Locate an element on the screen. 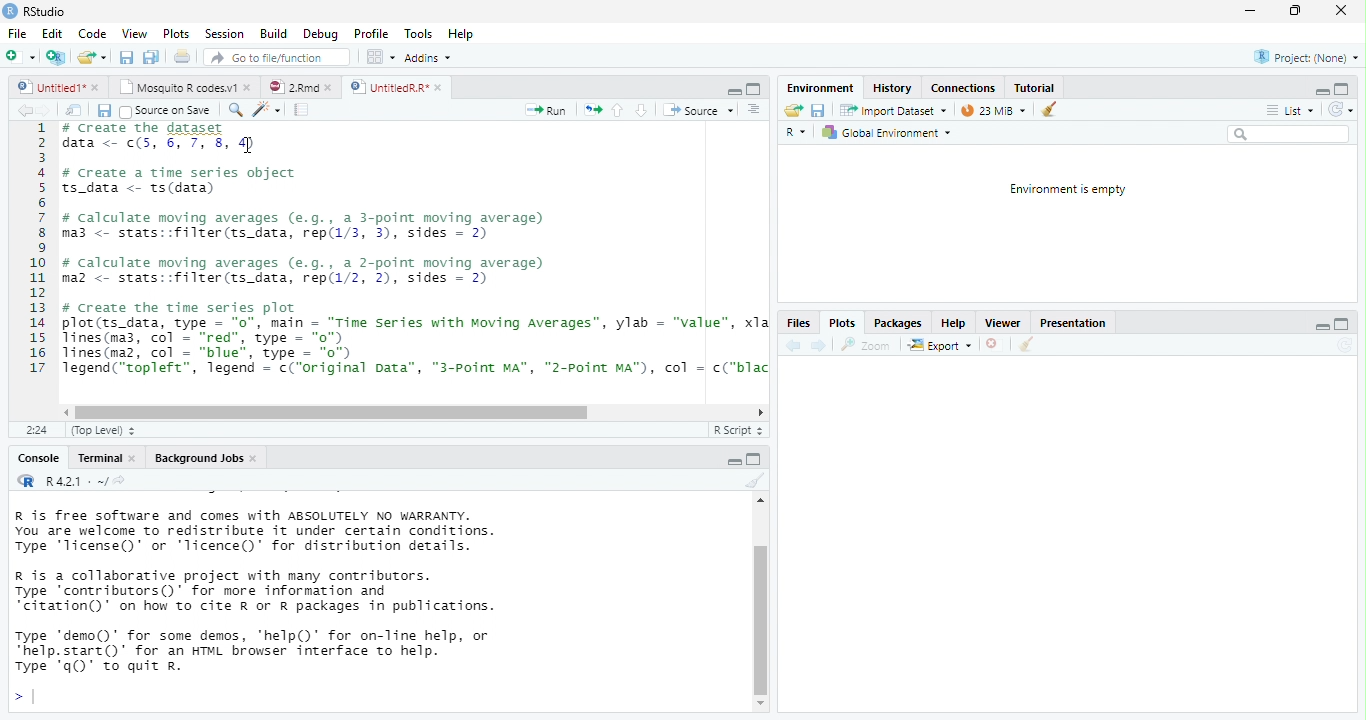  Background Jobs is located at coordinates (197, 458).